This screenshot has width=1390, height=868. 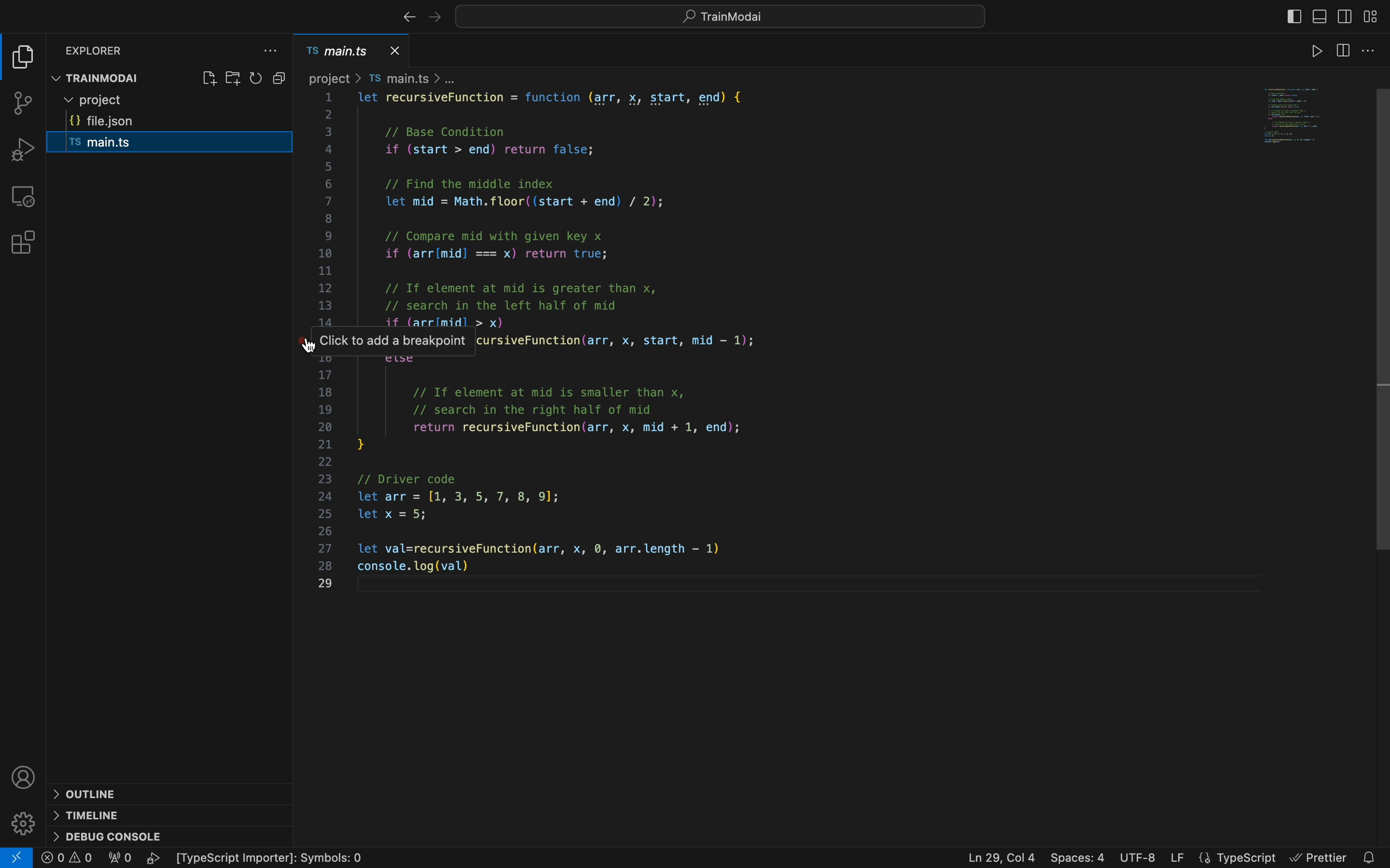 What do you see at coordinates (1080, 858) in the screenshot?
I see `Spaces : 4` at bounding box center [1080, 858].